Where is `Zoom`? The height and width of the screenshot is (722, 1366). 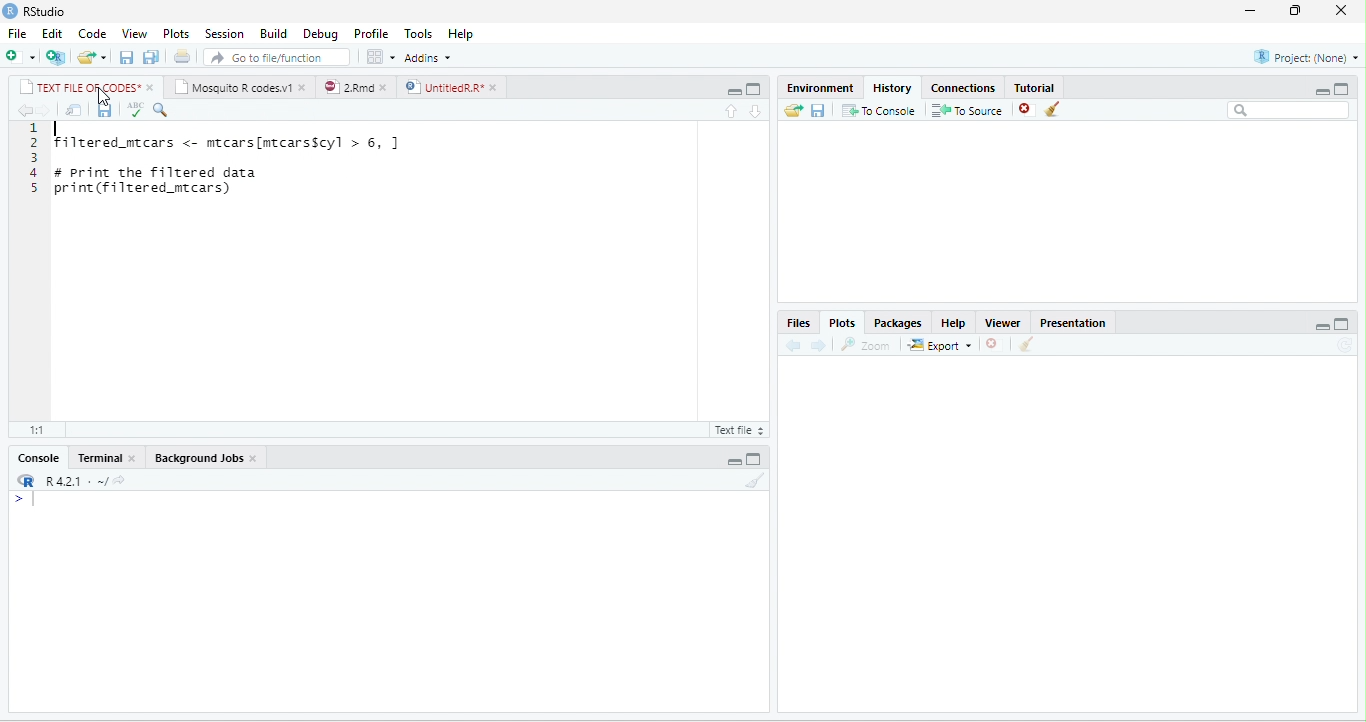
Zoom is located at coordinates (864, 345).